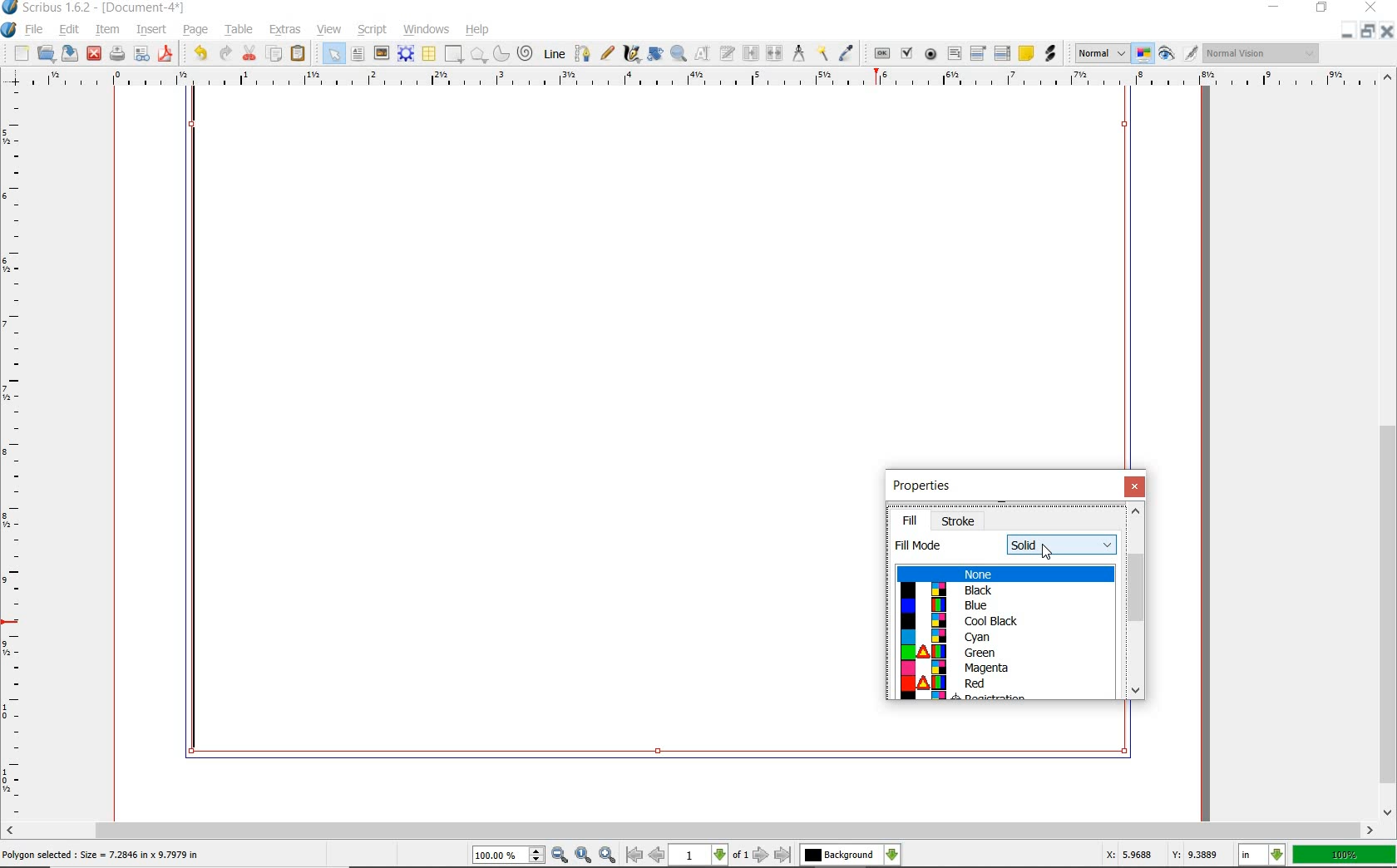  I want to click on scrollbar, so click(1137, 603).